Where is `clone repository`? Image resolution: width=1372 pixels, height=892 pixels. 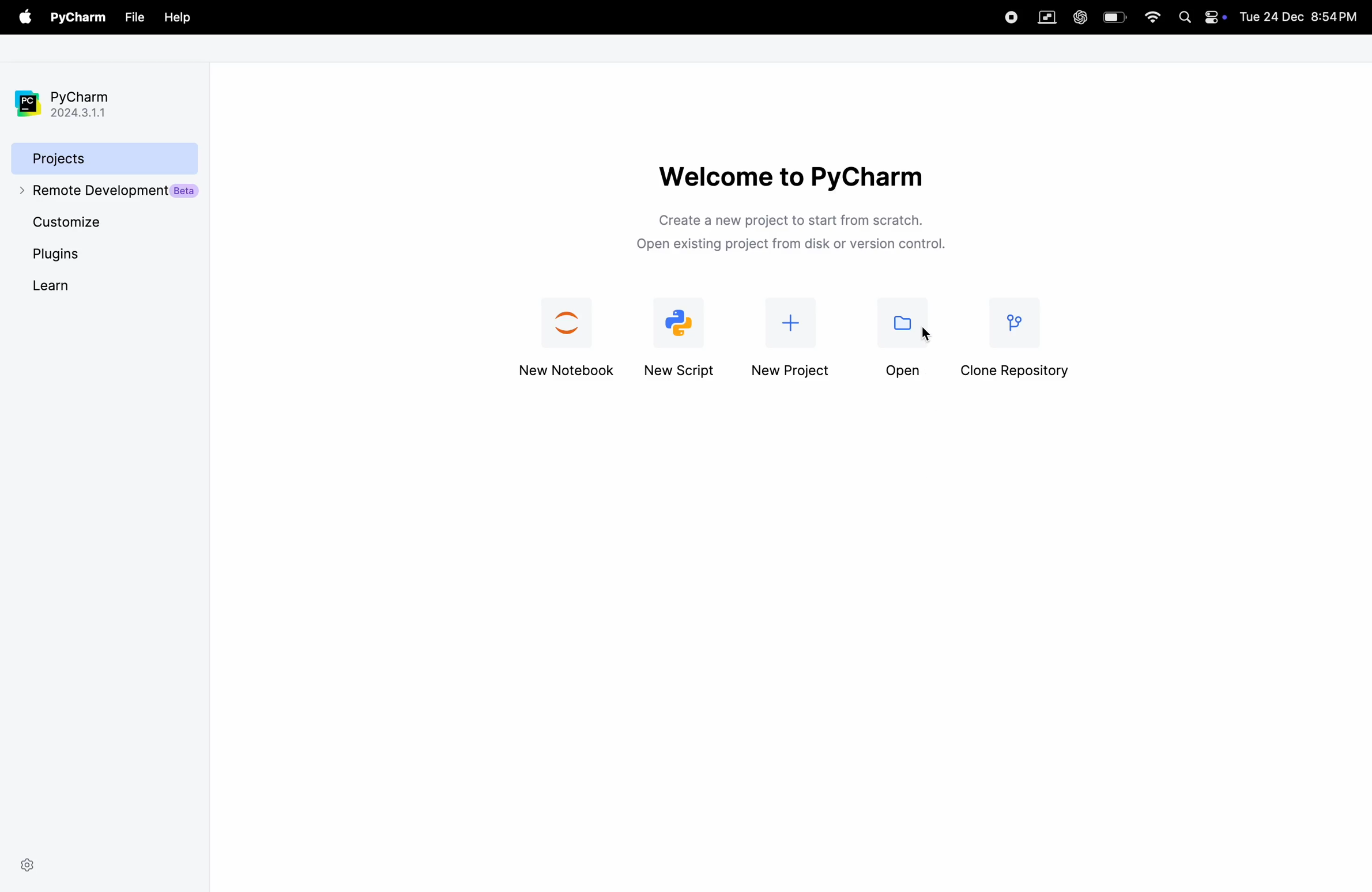
clone repository is located at coordinates (1023, 333).